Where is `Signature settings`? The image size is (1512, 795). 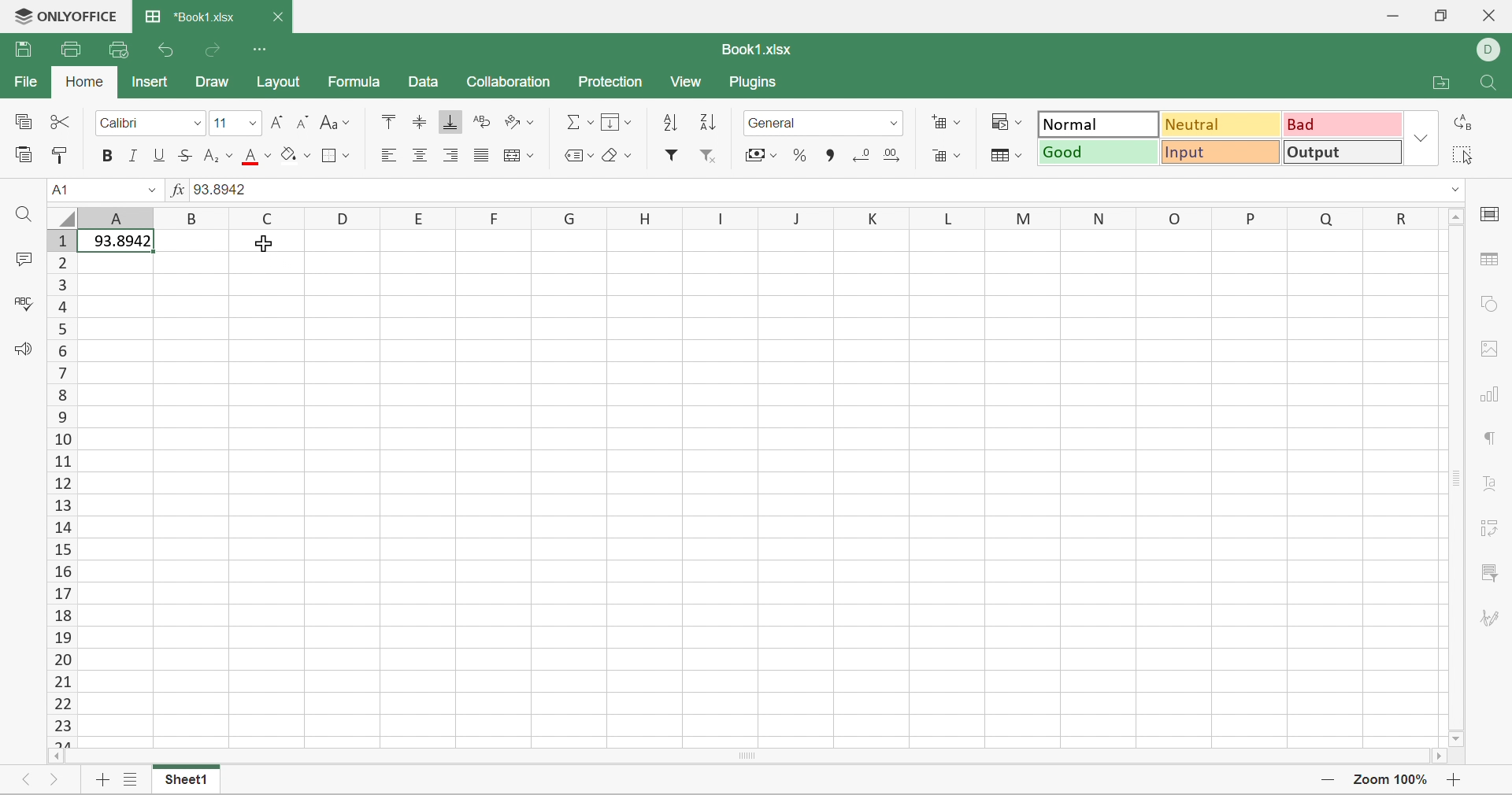 Signature settings is located at coordinates (1492, 620).